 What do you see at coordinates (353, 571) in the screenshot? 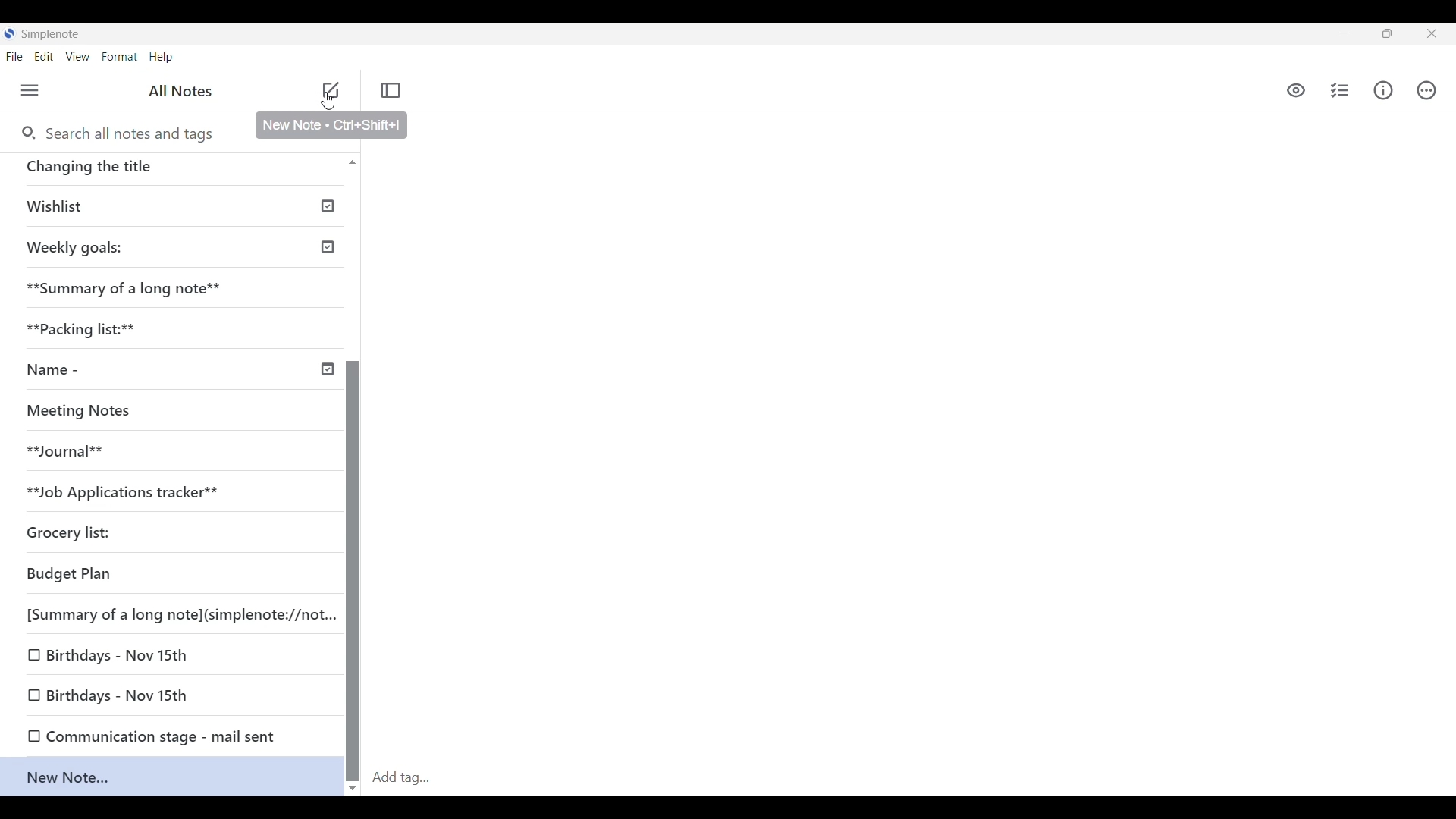
I see `Vertical slide bar` at bounding box center [353, 571].